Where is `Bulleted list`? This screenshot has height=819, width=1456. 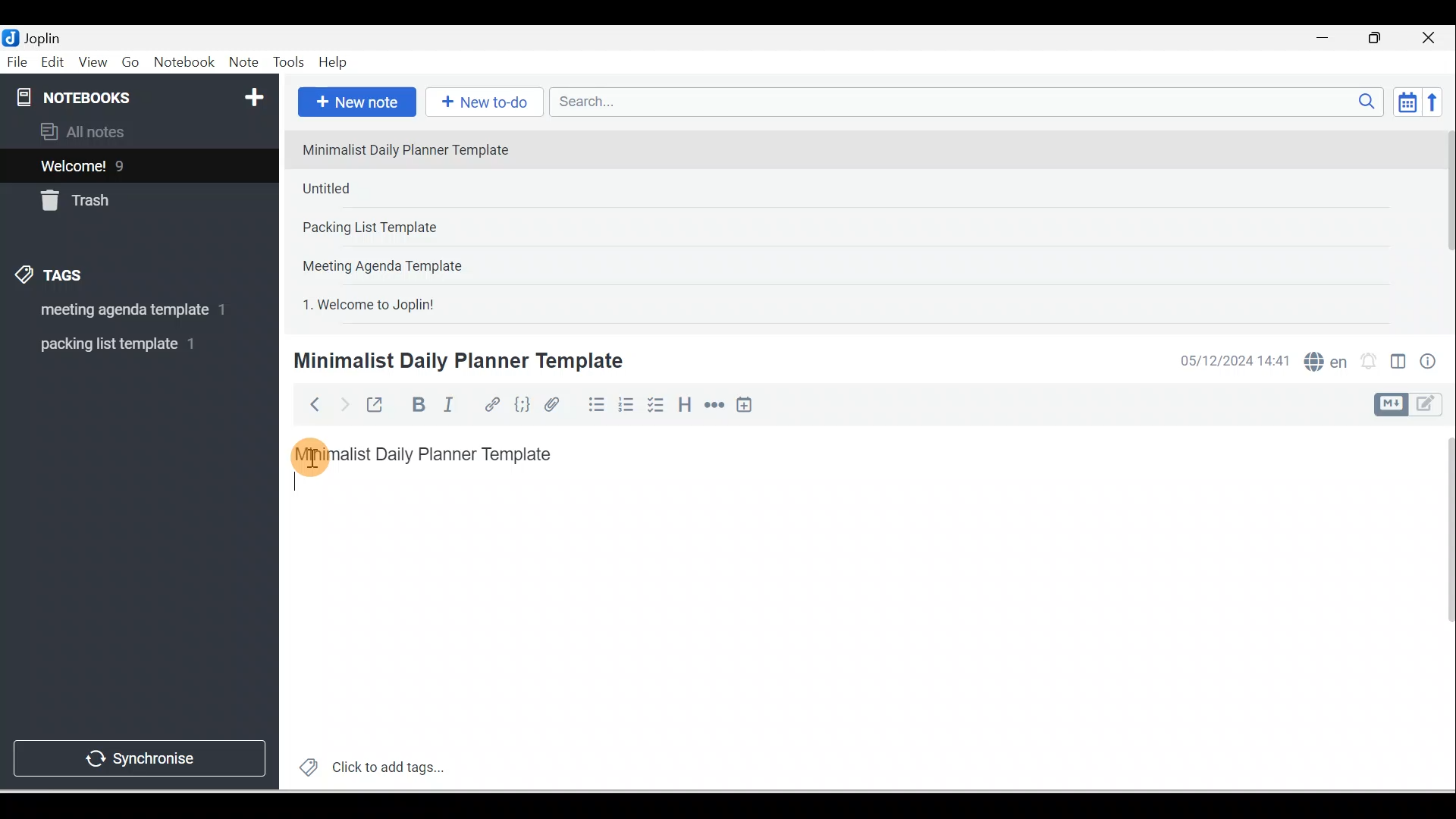
Bulleted list is located at coordinates (593, 404).